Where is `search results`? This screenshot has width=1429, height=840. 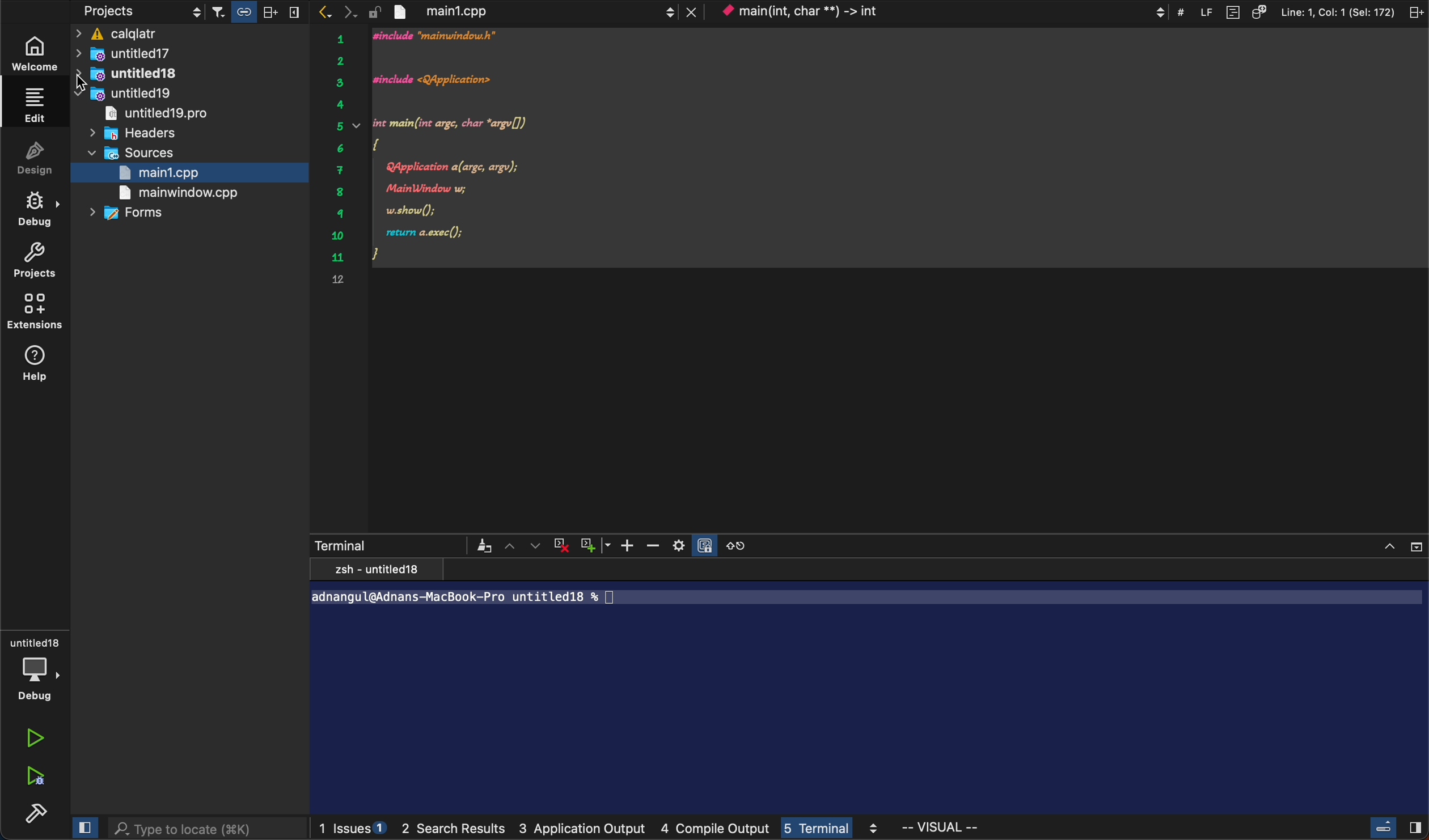
search results is located at coordinates (452, 829).